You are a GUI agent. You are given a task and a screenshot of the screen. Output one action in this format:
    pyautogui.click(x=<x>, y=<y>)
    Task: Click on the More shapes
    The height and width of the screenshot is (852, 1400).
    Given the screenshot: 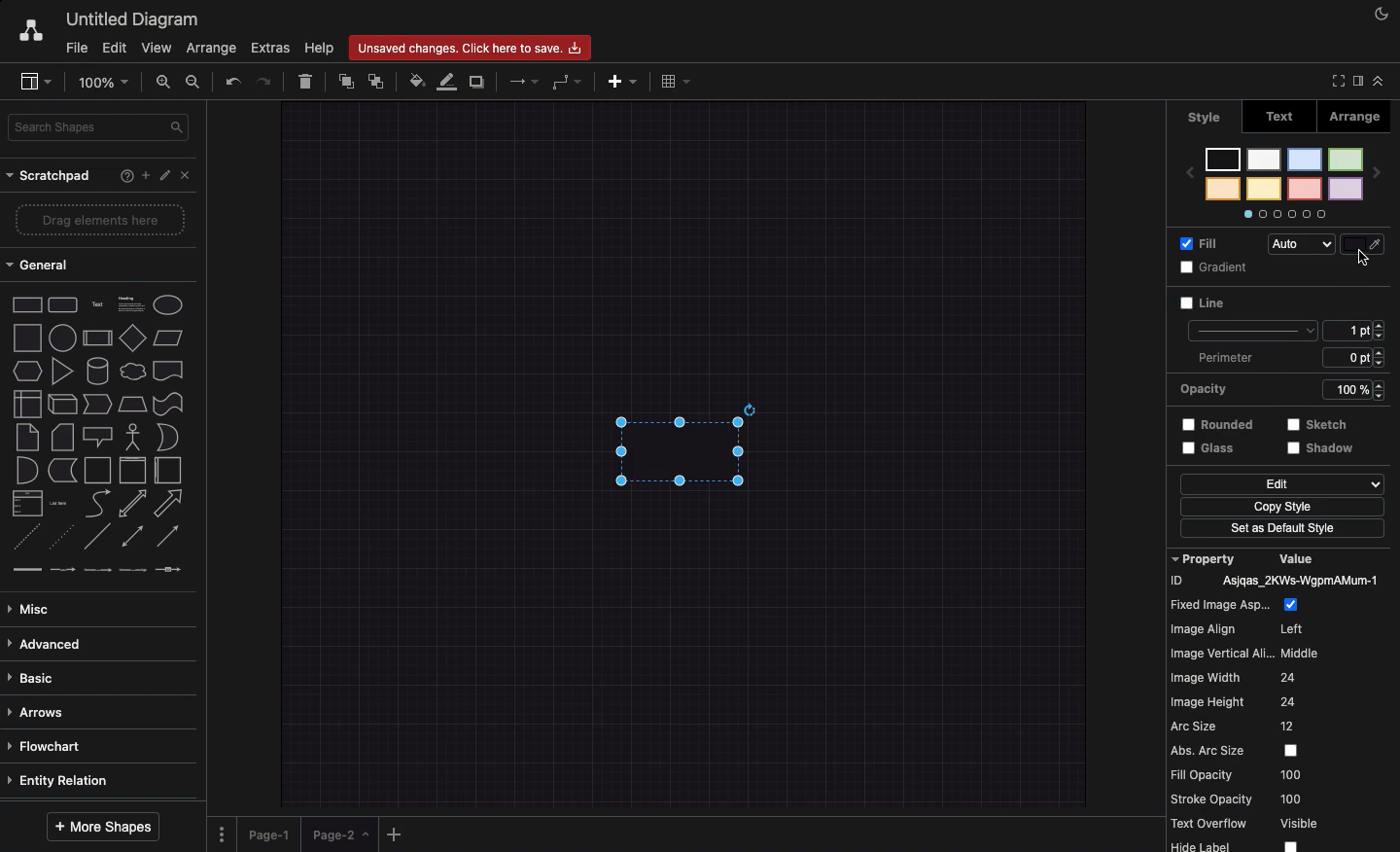 What is the action you would take?
    pyautogui.click(x=105, y=823)
    